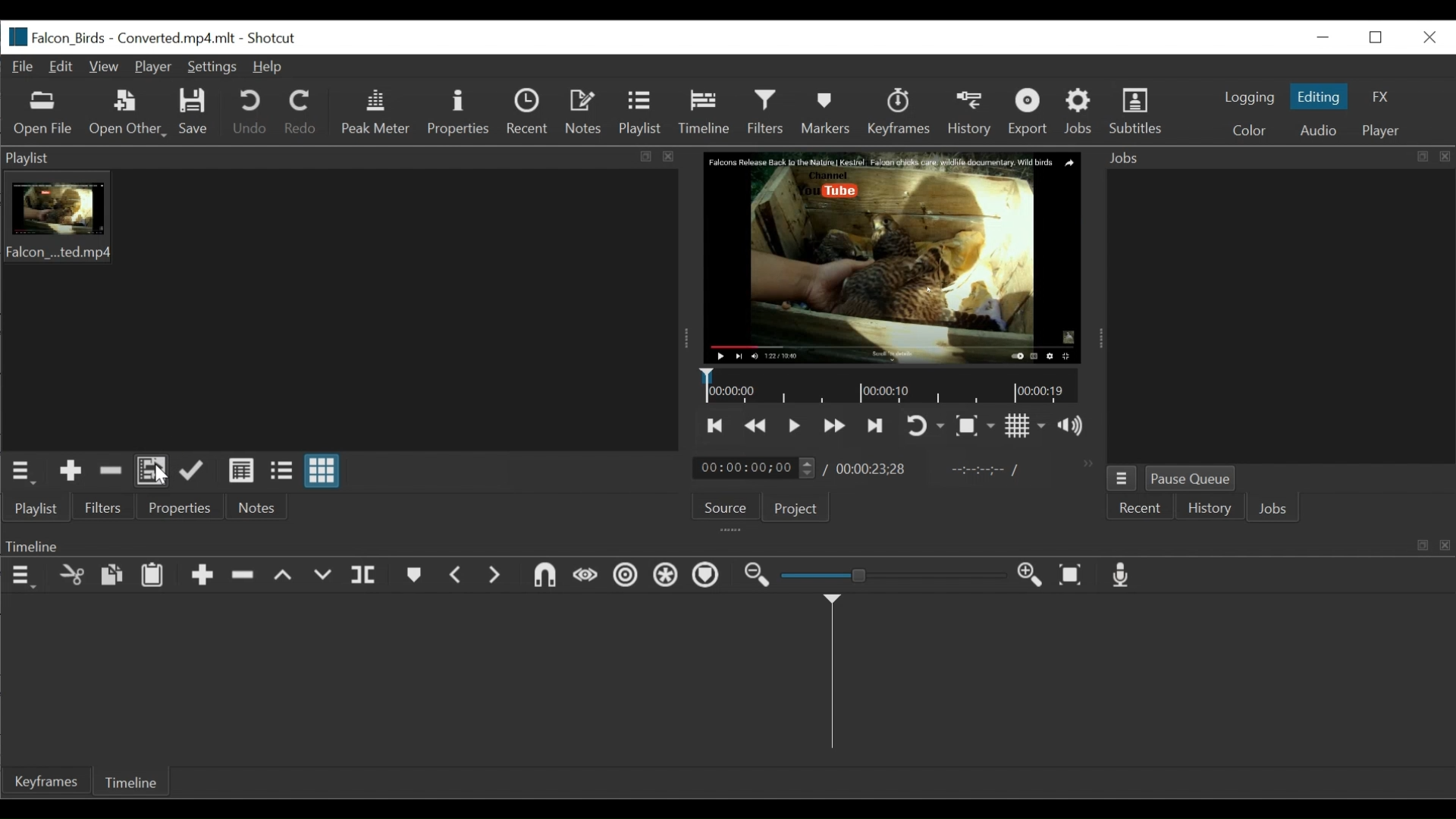 The height and width of the screenshot is (819, 1456). Describe the element at coordinates (872, 469) in the screenshot. I see `Total Duration` at that location.